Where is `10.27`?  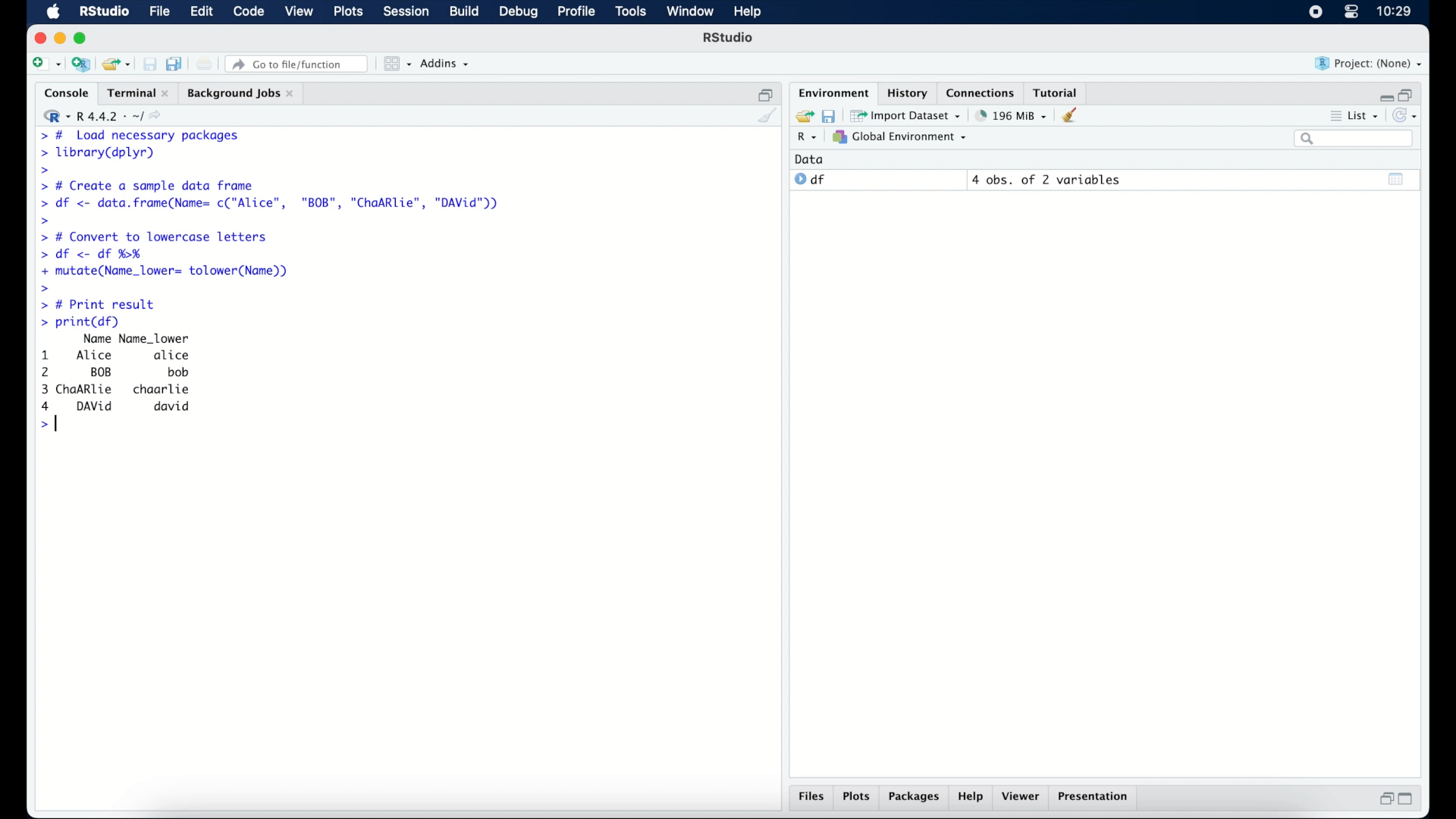 10.27 is located at coordinates (1394, 11).